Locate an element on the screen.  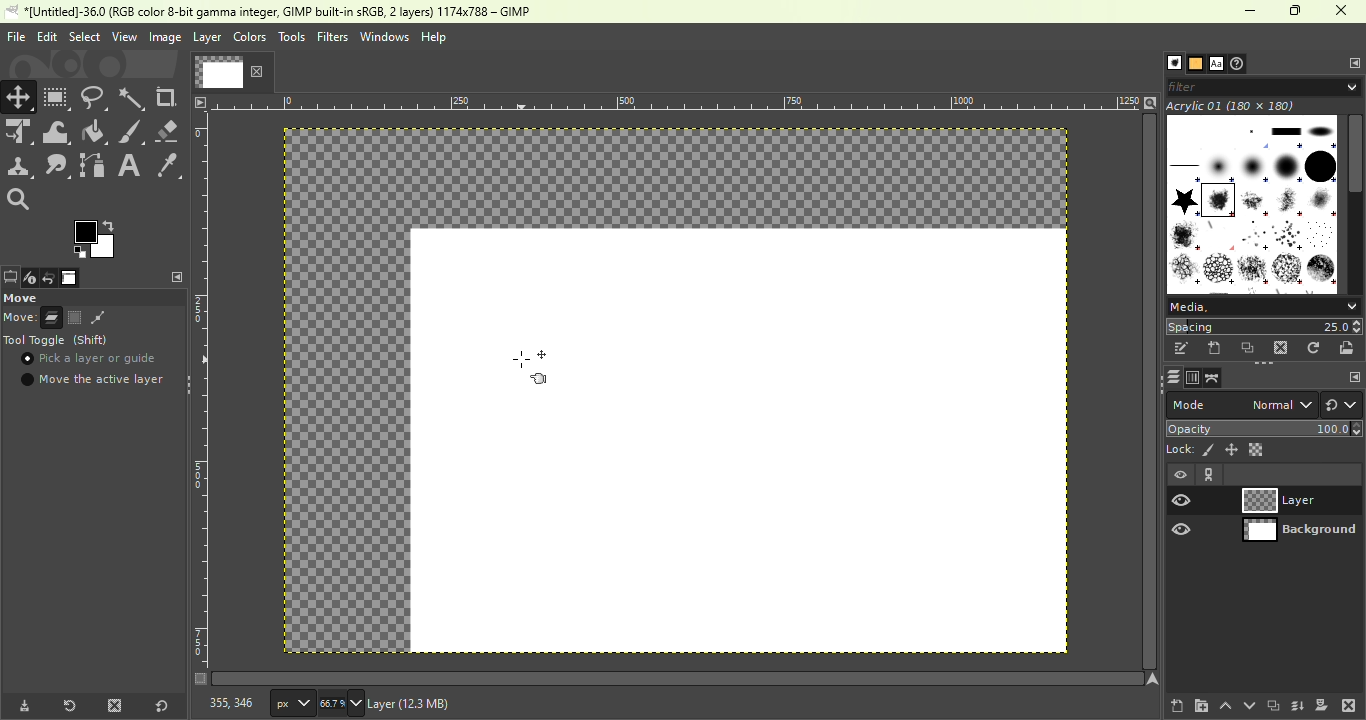
Paintbrush tool is located at coordinates (132, 132).